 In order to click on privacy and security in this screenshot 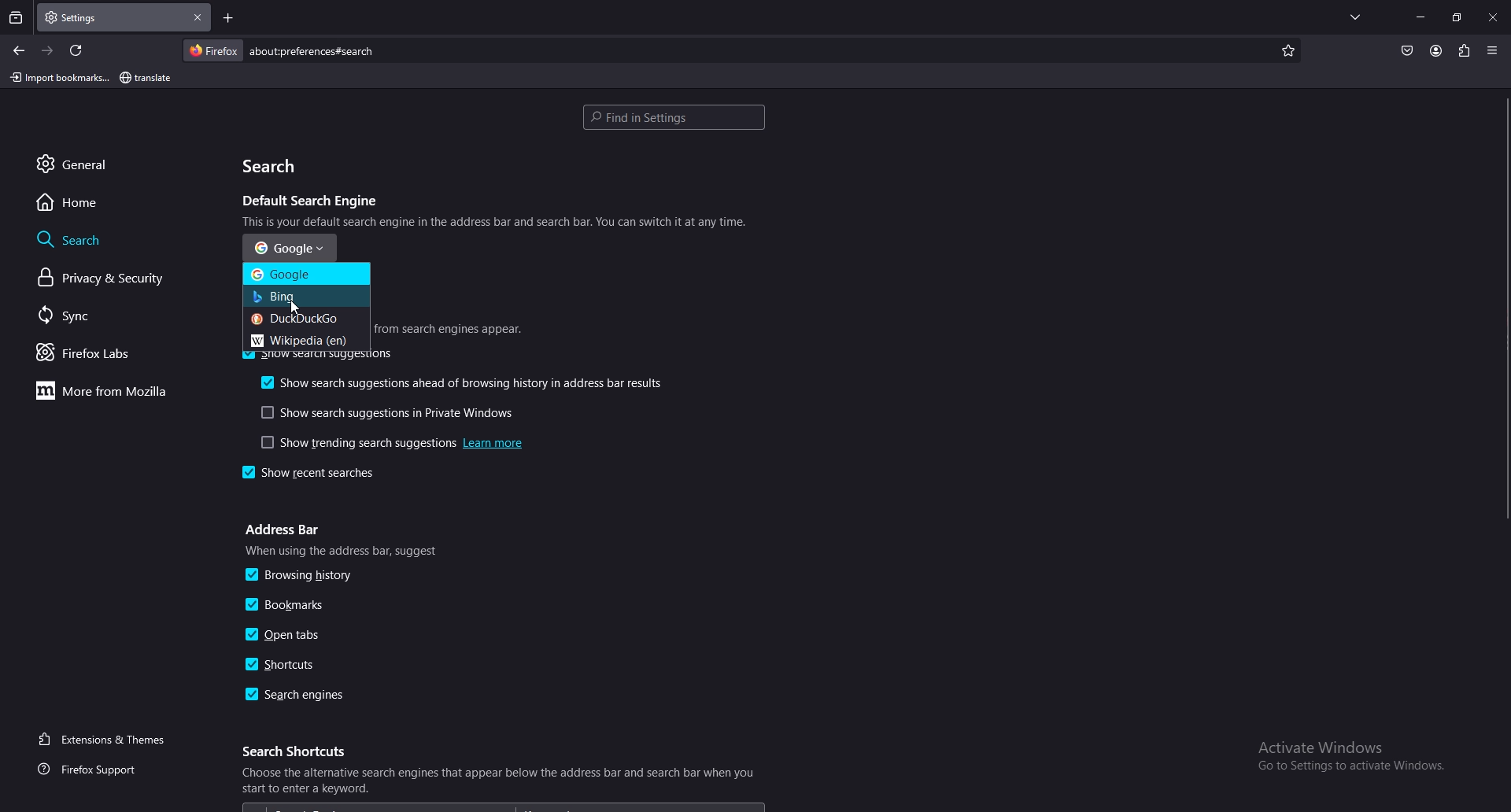, I will do `click(113, 279)`.